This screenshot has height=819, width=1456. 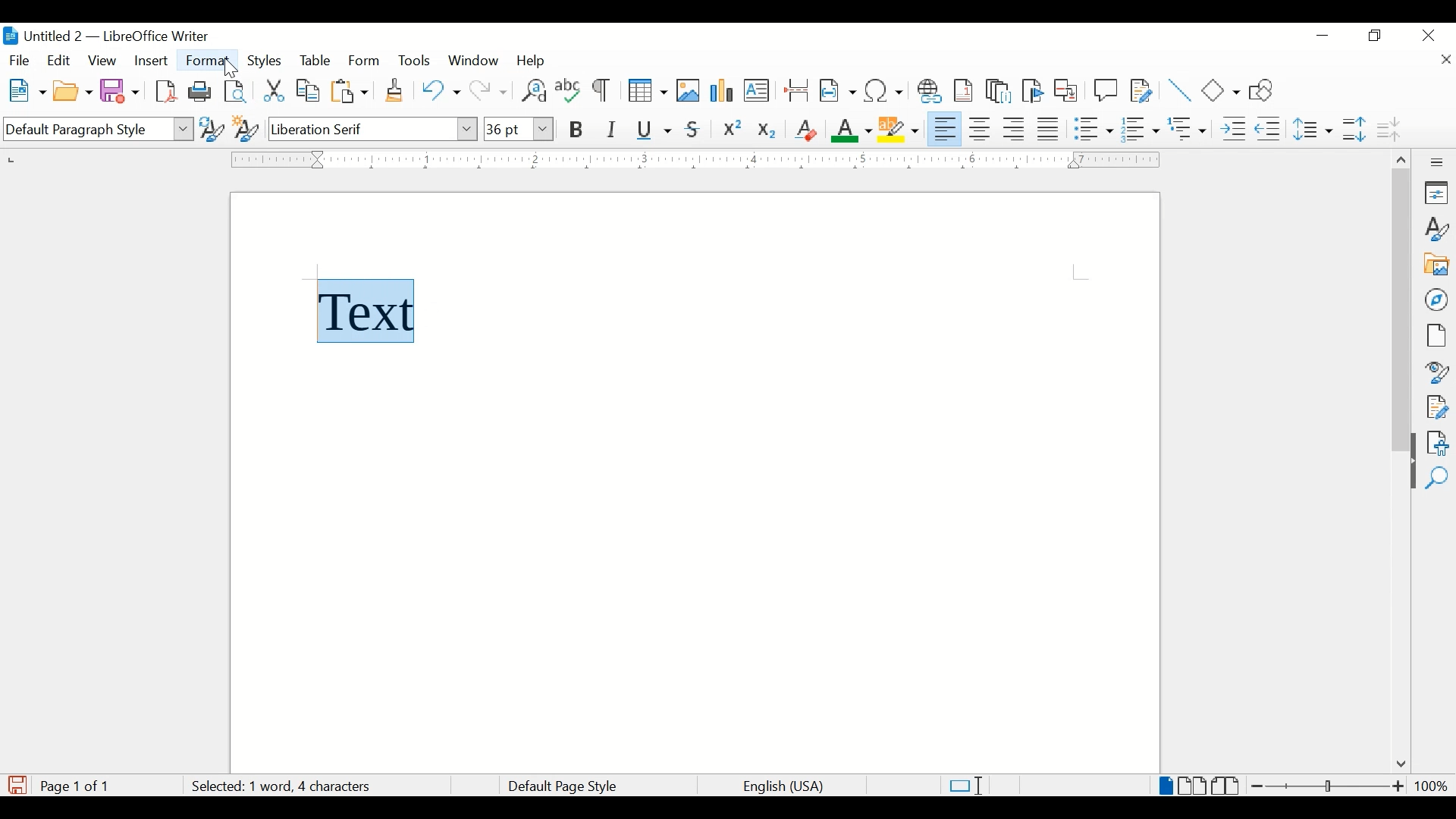 What do you see at coordinates (1233, 129) in the screenshot?
I see `increase indent` at bounding box center [1233, 129].